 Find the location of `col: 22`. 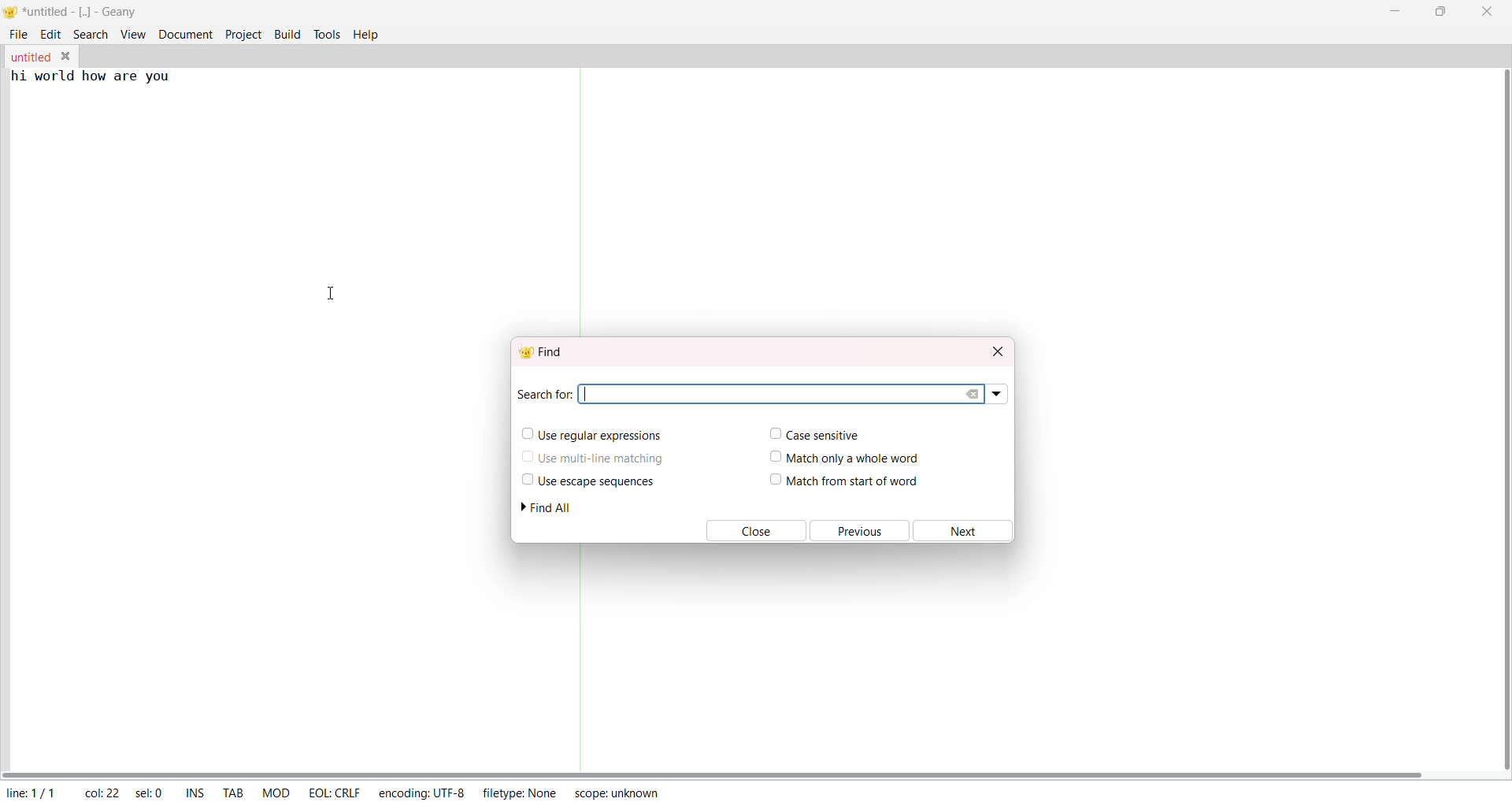

col: 22 is located at coordinates (102, 792).